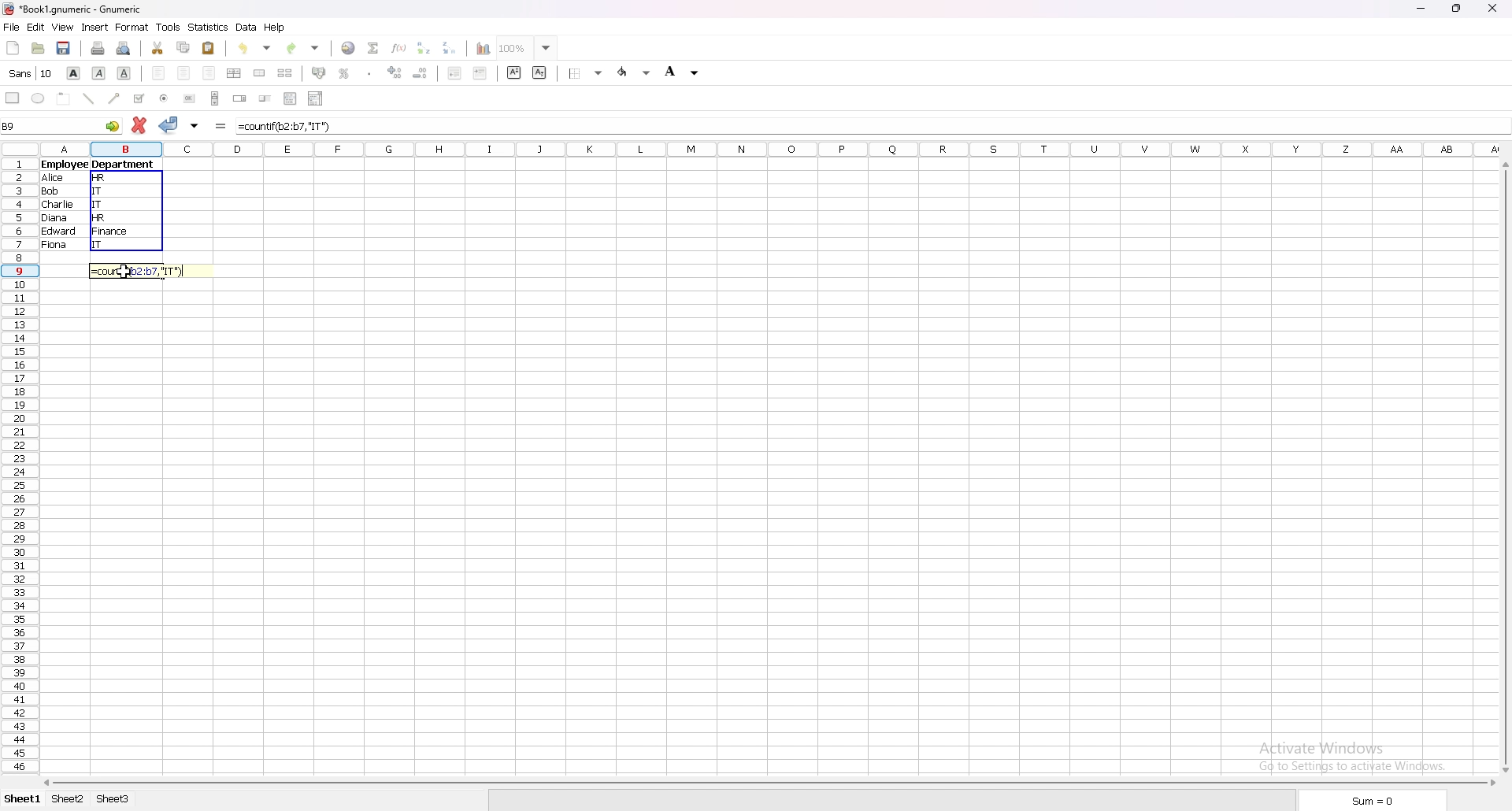  What do you see at coordinates (13, 97) in the screenshot?
I see `rectangle` at bounding box center [13, 97].